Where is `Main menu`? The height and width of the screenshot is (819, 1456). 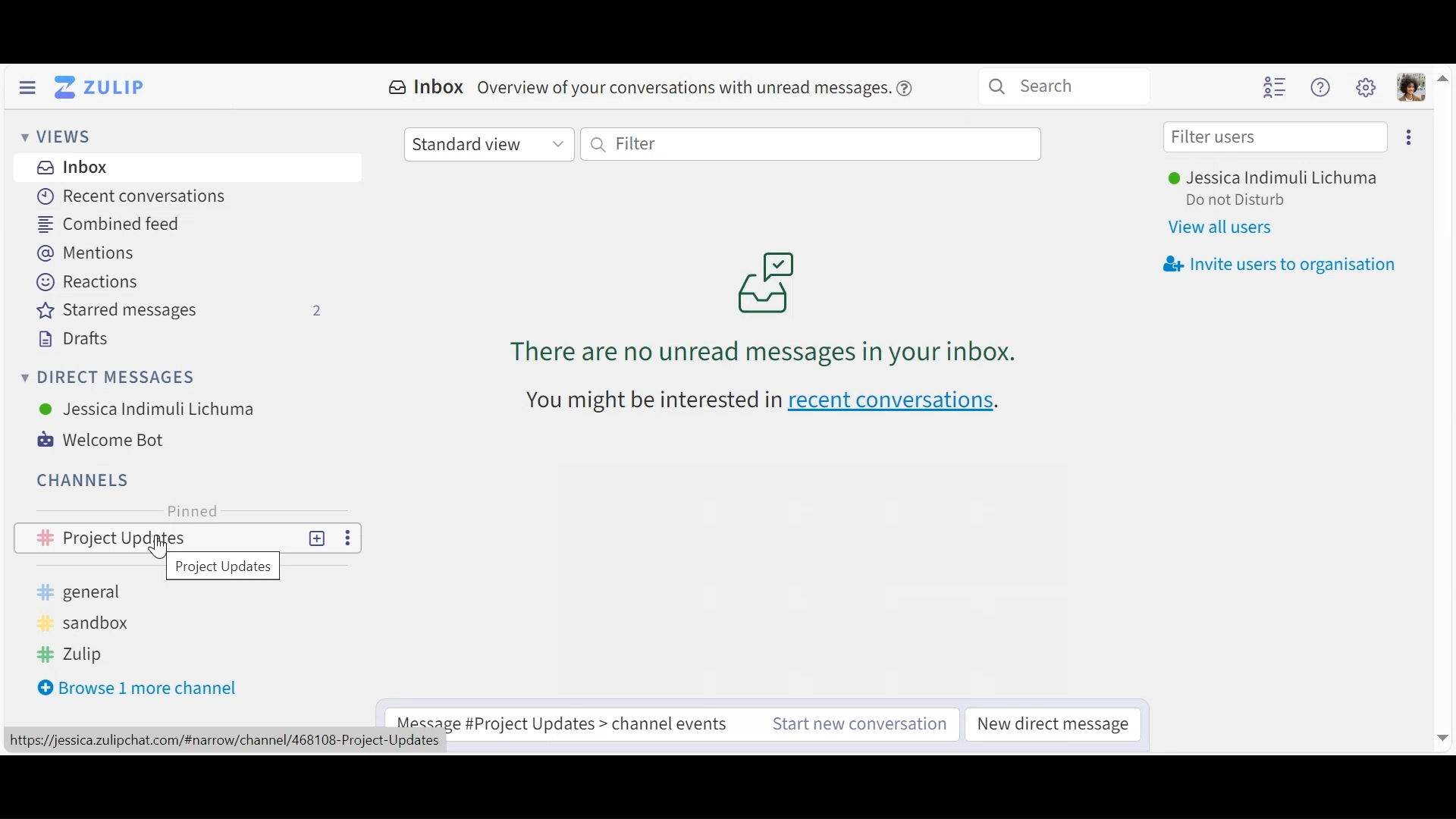
Main menu is located at coordinates (1367, 87).